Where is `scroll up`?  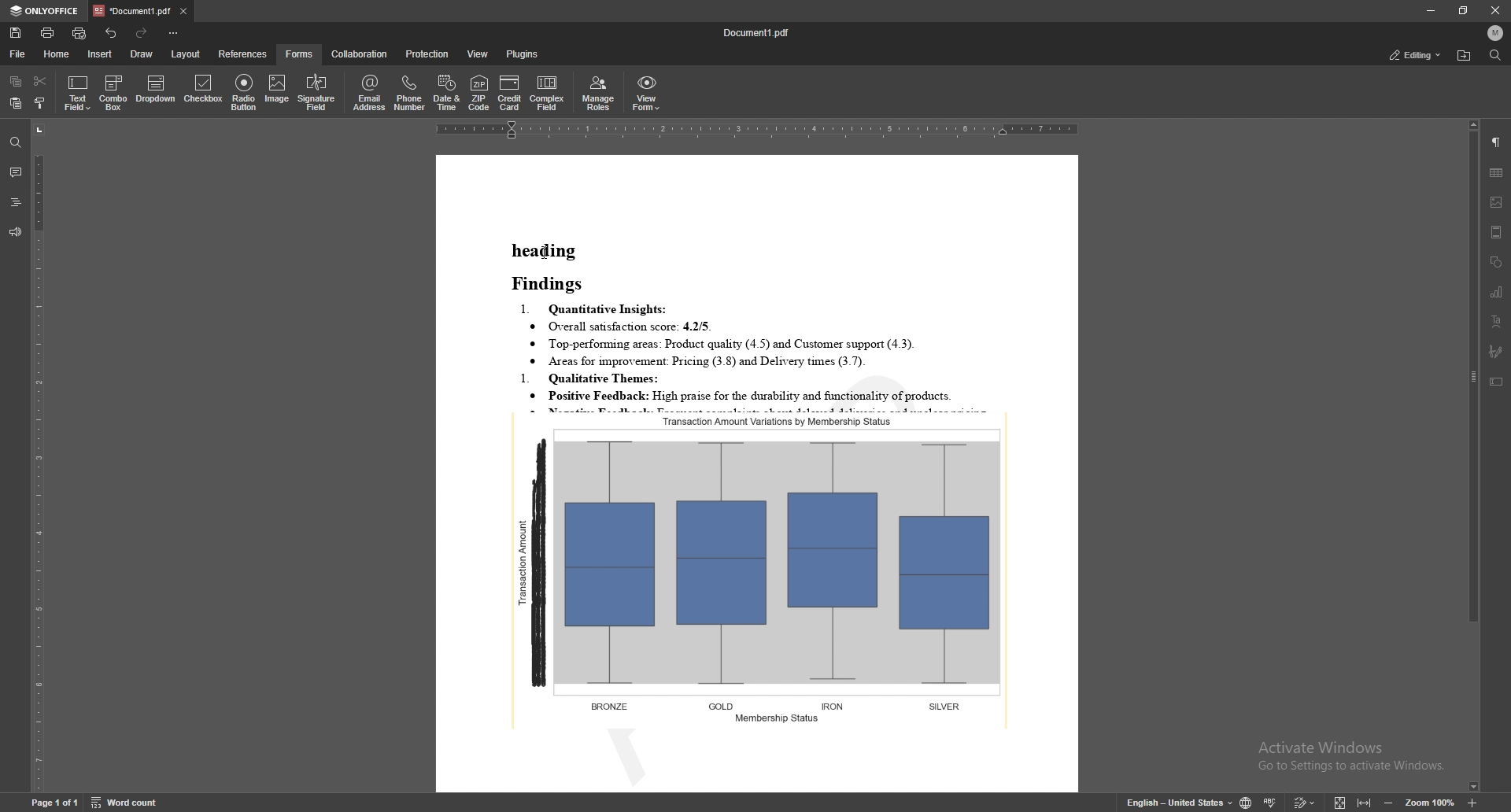
scroll up is located at coordinates (1472, 125).